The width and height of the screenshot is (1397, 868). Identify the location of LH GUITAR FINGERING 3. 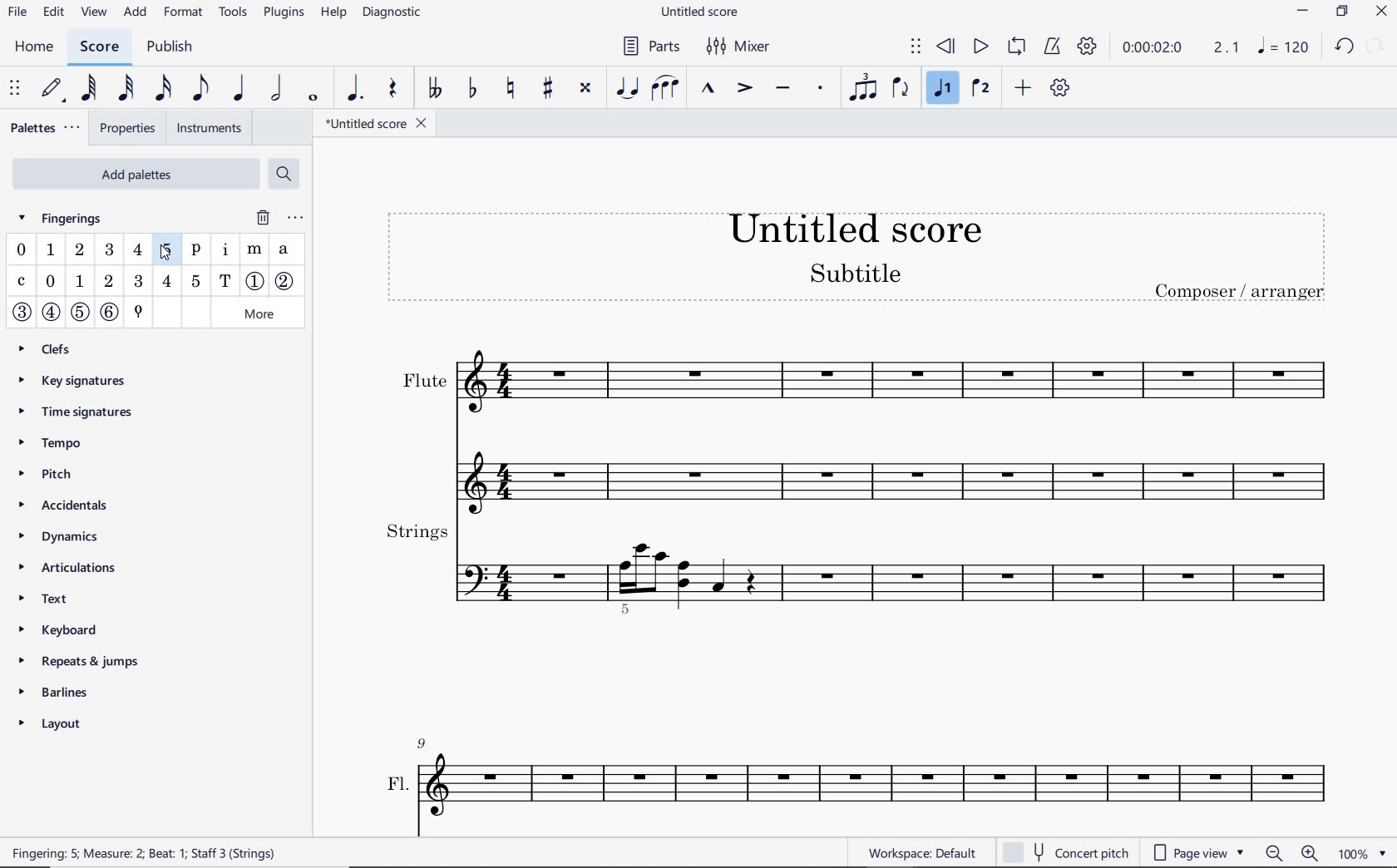
(139, 282).